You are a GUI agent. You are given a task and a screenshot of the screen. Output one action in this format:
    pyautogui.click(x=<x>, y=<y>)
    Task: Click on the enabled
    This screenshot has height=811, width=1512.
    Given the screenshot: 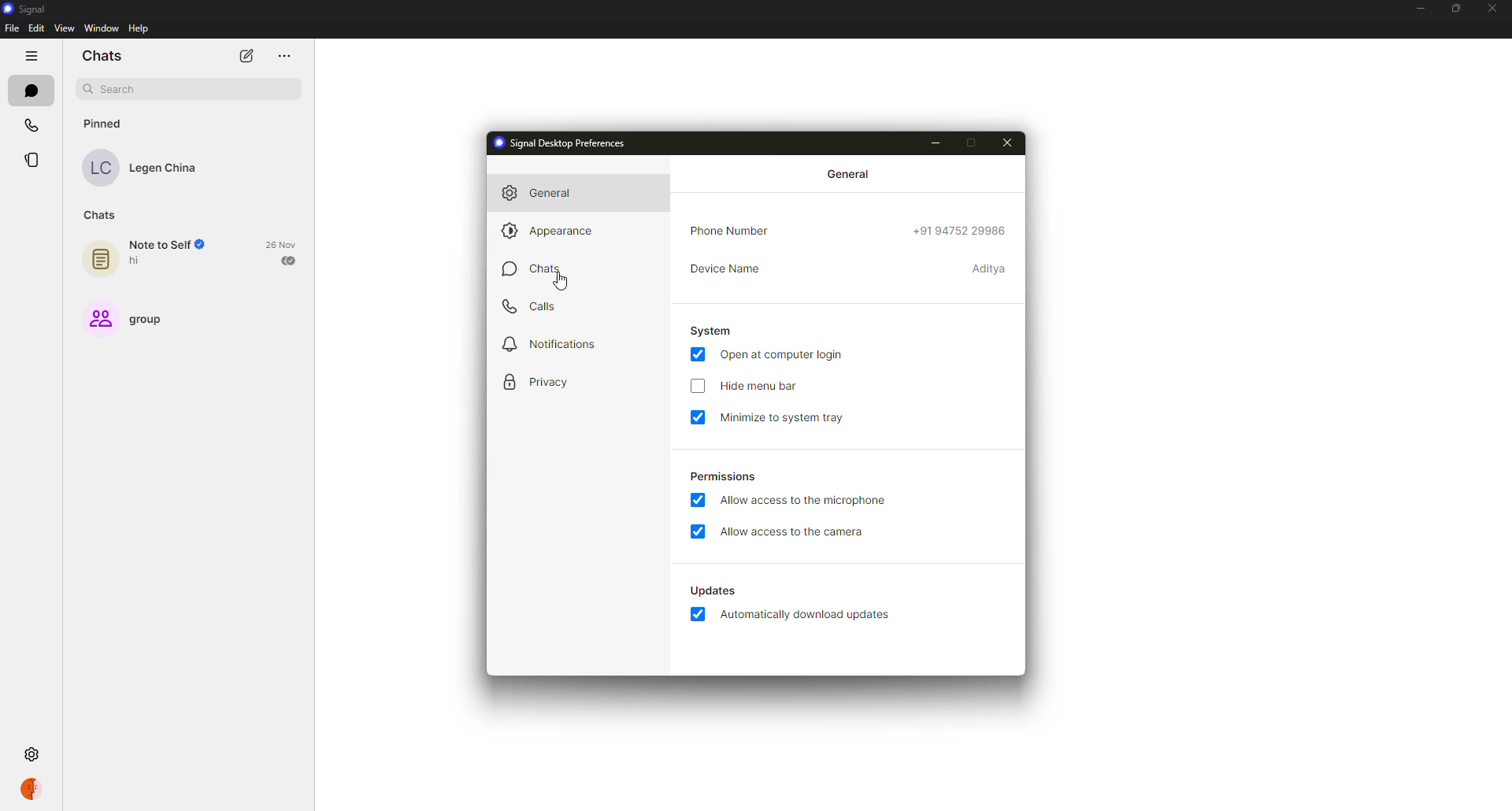 What is the action you would take?
    pyautogui.click(x=697, y=614)
    